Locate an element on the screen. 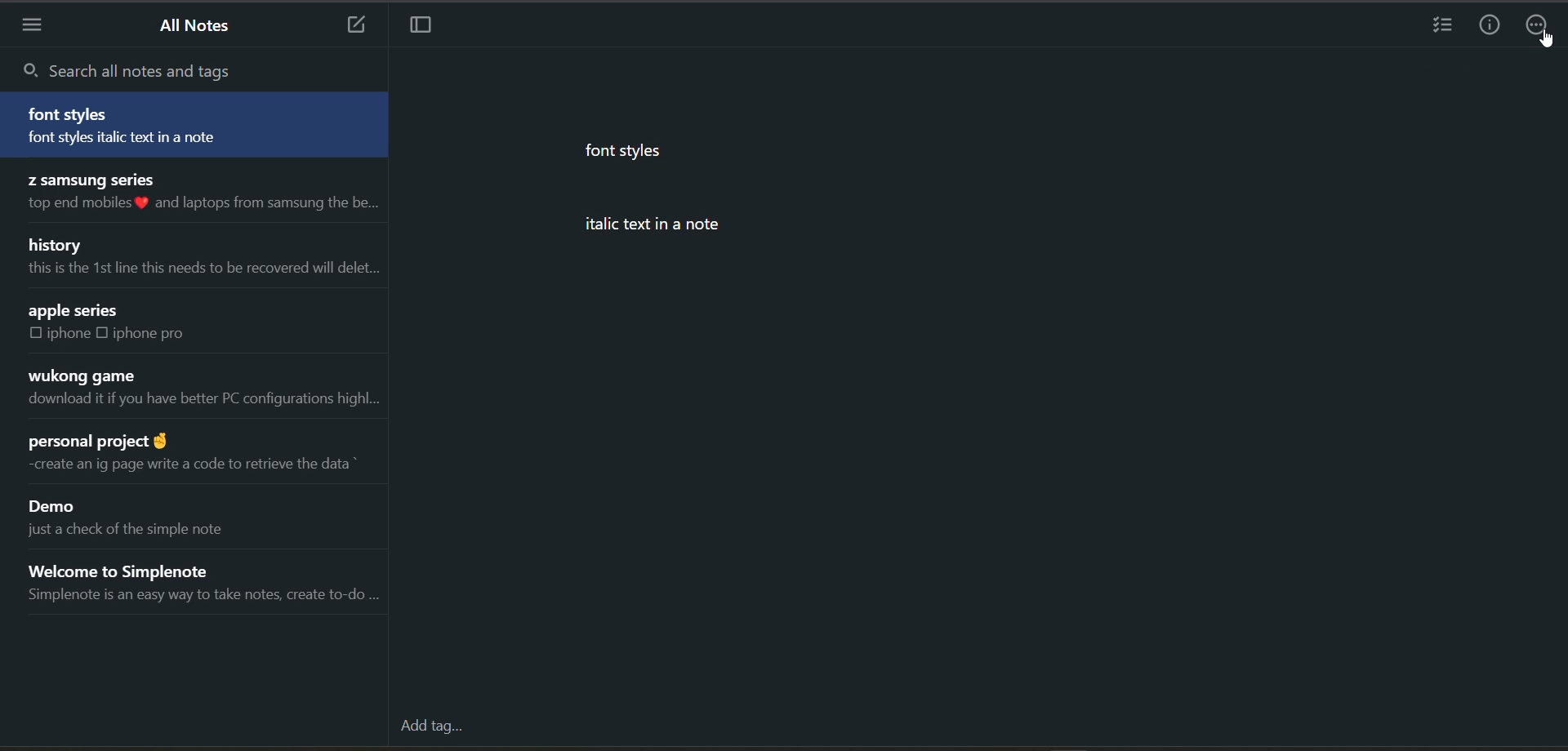 The image size is (1568, 751). menu is located at coordinates (37, 26).